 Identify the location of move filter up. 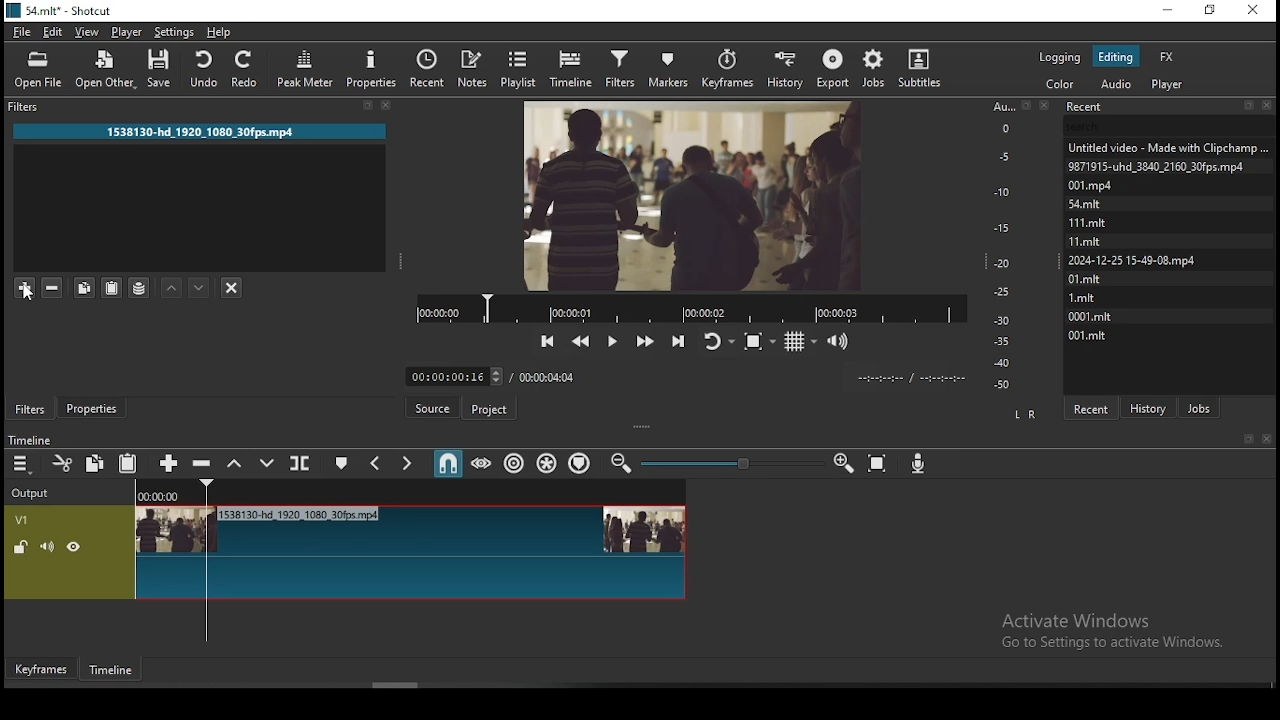
(171, 289).